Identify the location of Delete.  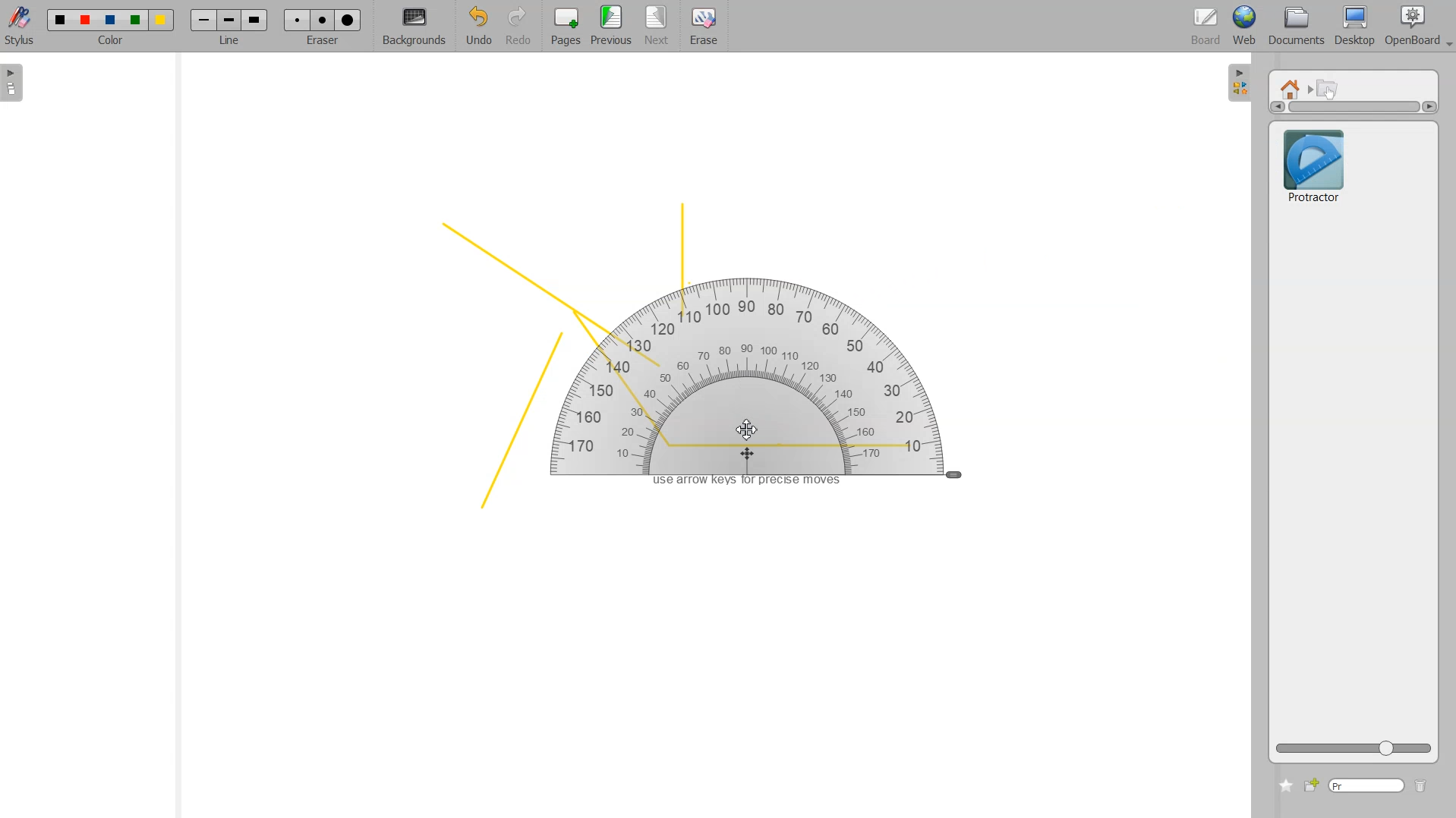
(1421, 787).